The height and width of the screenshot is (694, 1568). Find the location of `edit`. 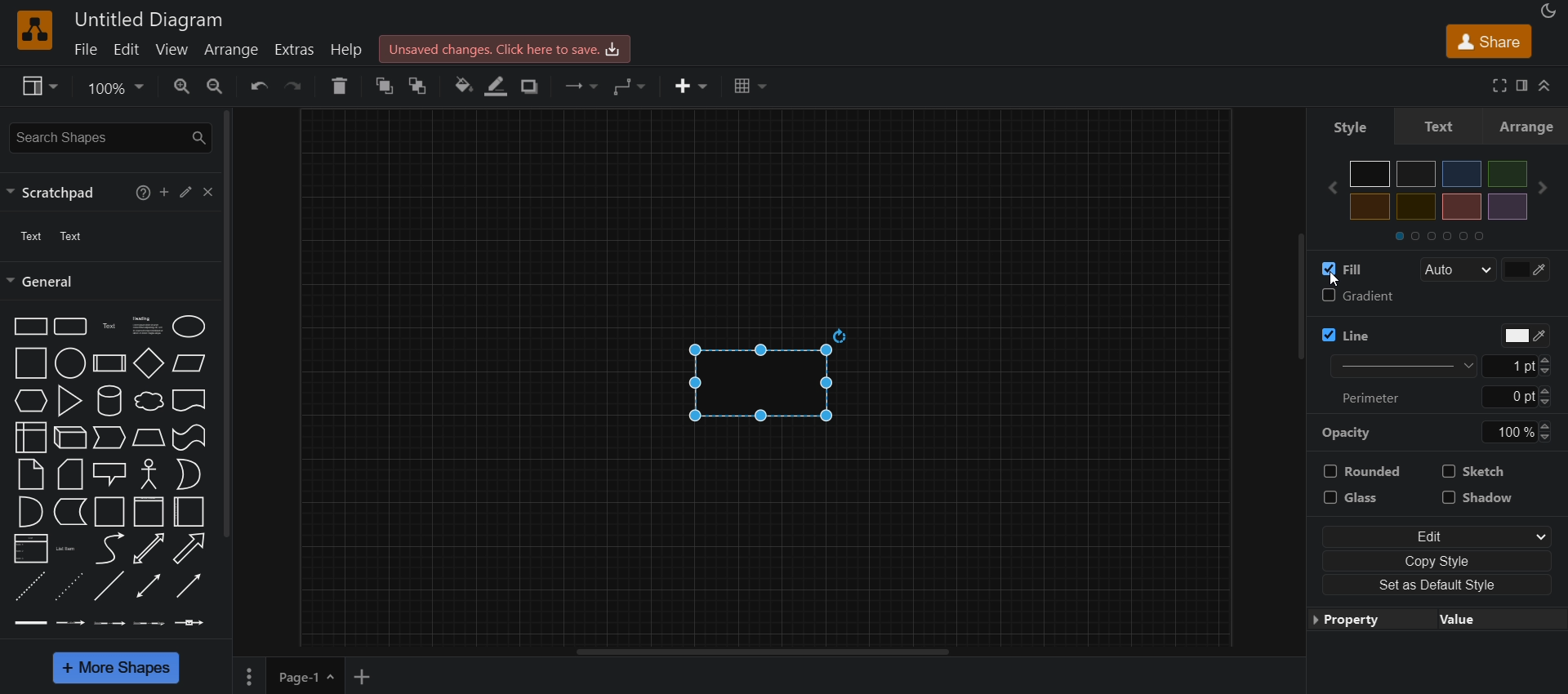

edit is located at coordinates (125, 50).